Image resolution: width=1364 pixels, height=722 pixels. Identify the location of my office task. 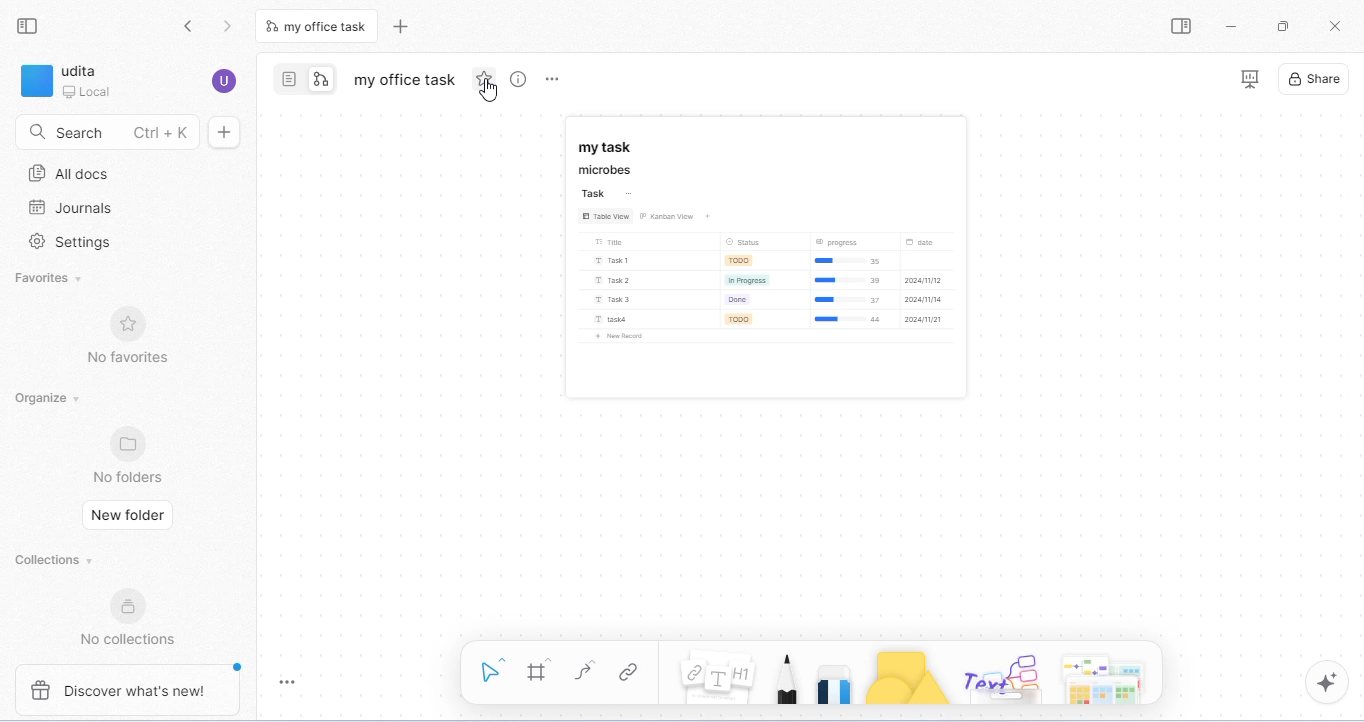
(407, 79).